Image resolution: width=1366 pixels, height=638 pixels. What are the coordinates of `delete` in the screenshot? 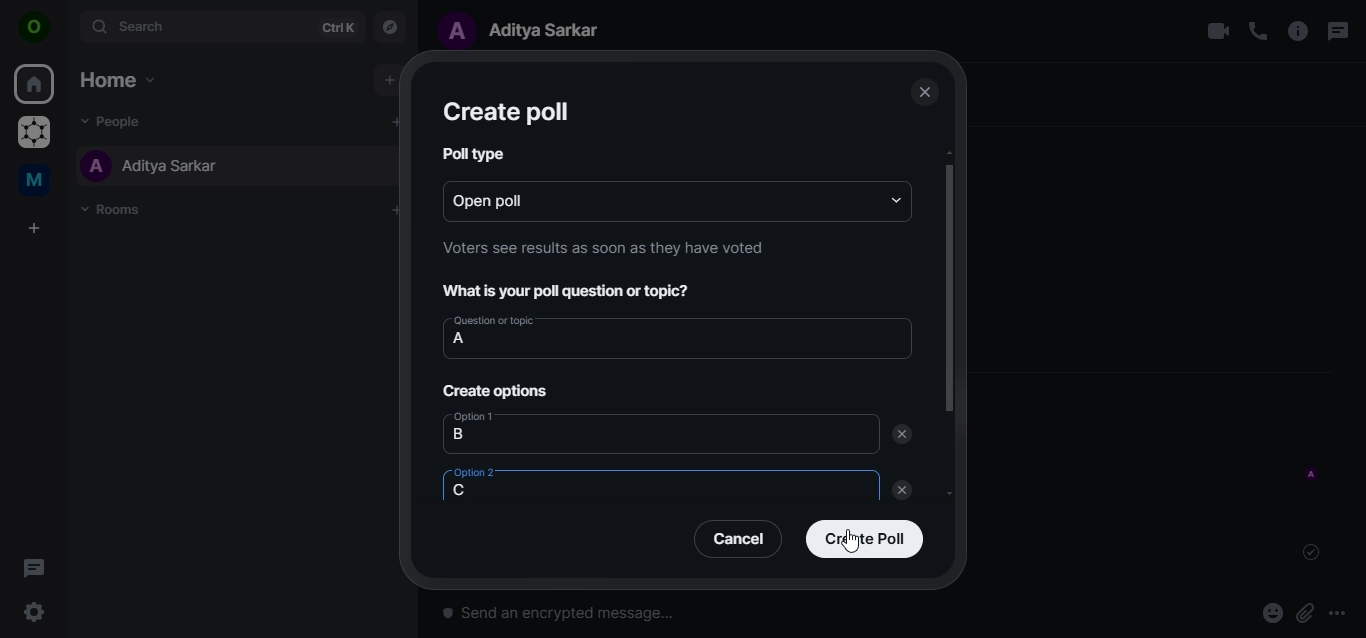 It's located at (903, 432).